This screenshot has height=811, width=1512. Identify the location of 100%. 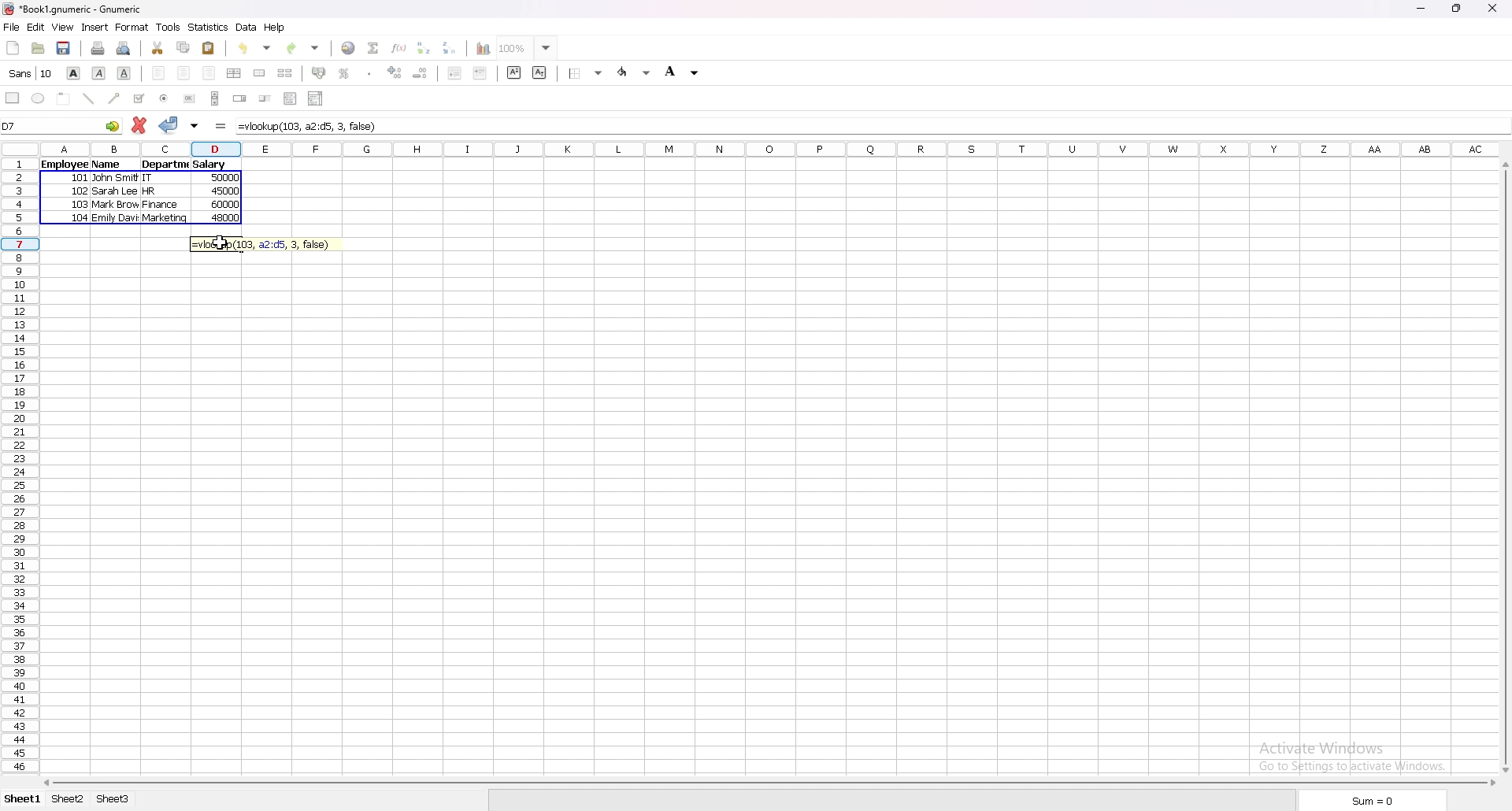
(527, 48).